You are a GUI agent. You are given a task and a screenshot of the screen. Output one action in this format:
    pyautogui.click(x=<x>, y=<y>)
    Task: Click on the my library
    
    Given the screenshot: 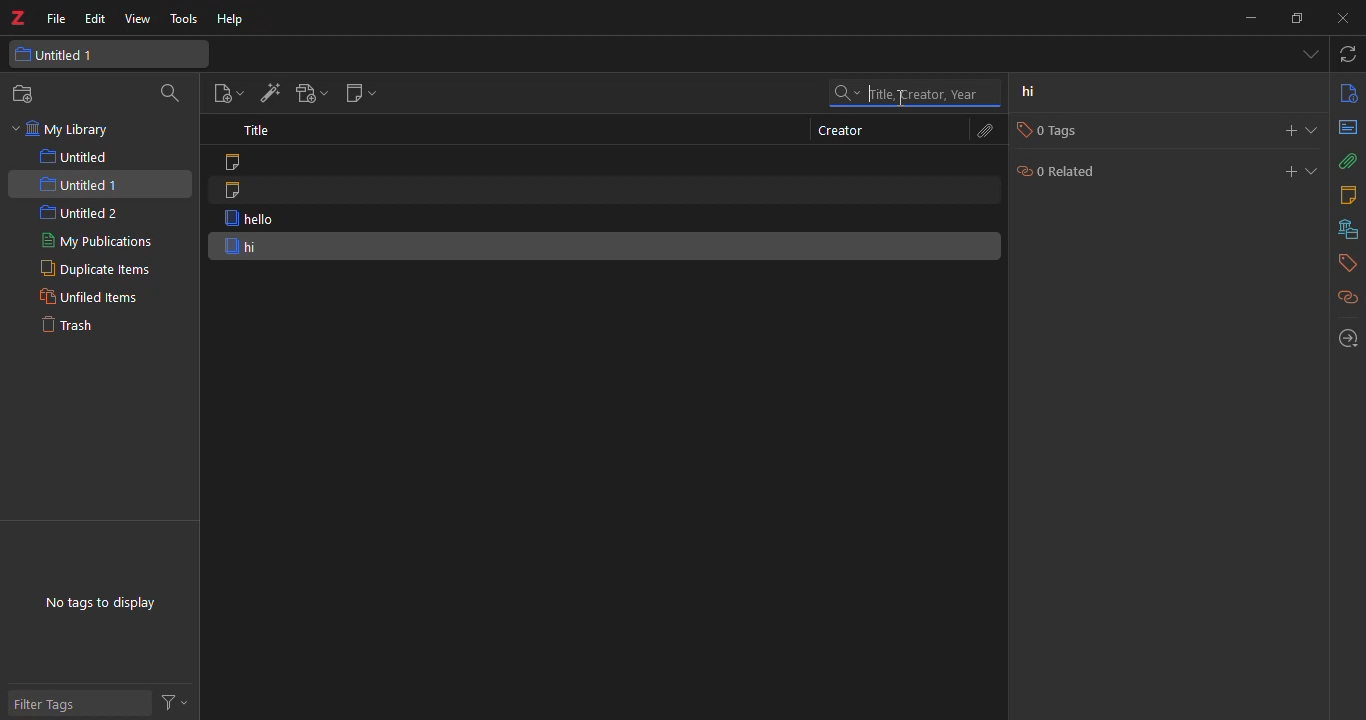 What is the action you would take?
    pyautogui.click(x=73, y=130)
    